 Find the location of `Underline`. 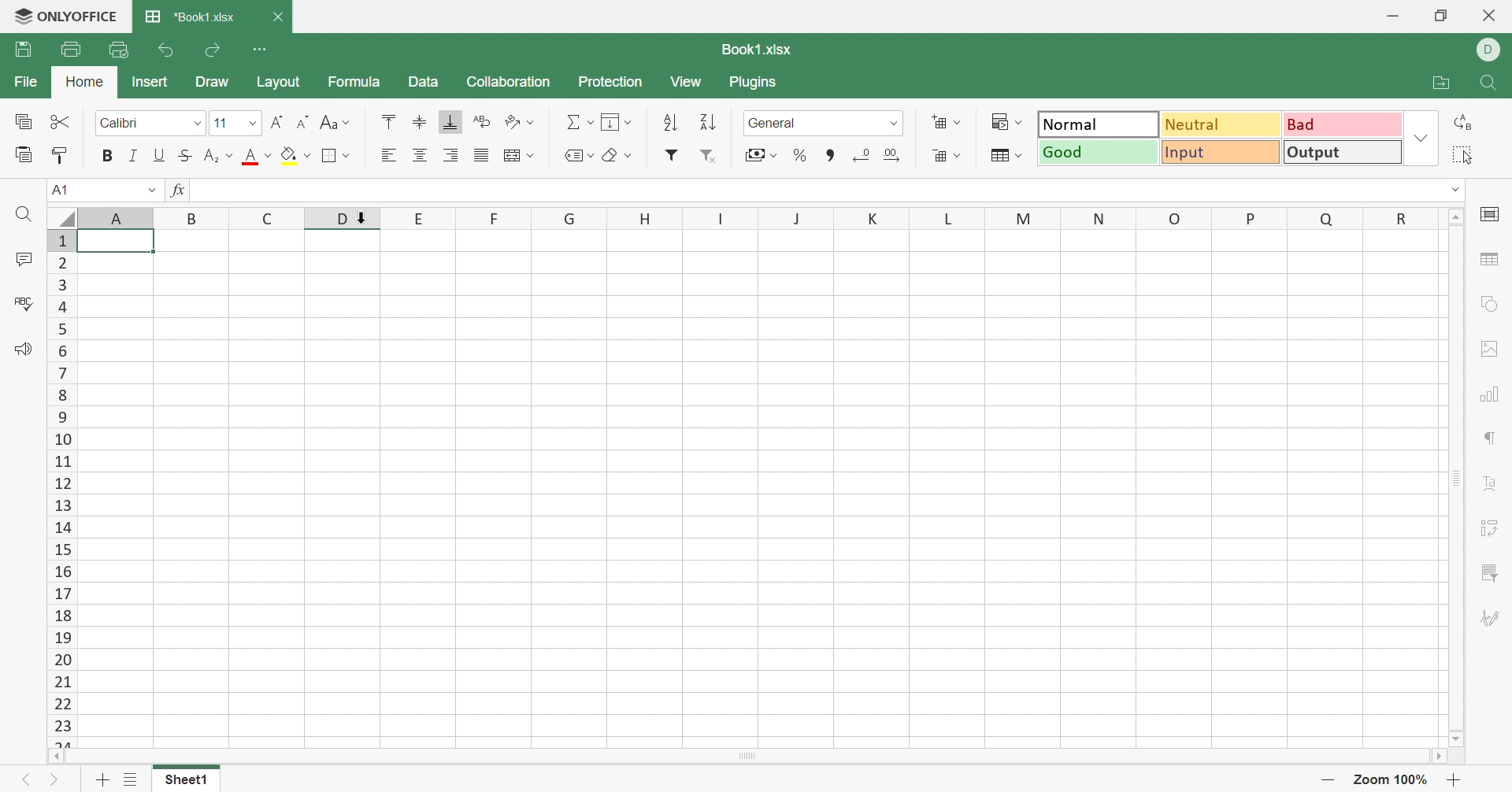

Underline is located at coordinates (161, 154).